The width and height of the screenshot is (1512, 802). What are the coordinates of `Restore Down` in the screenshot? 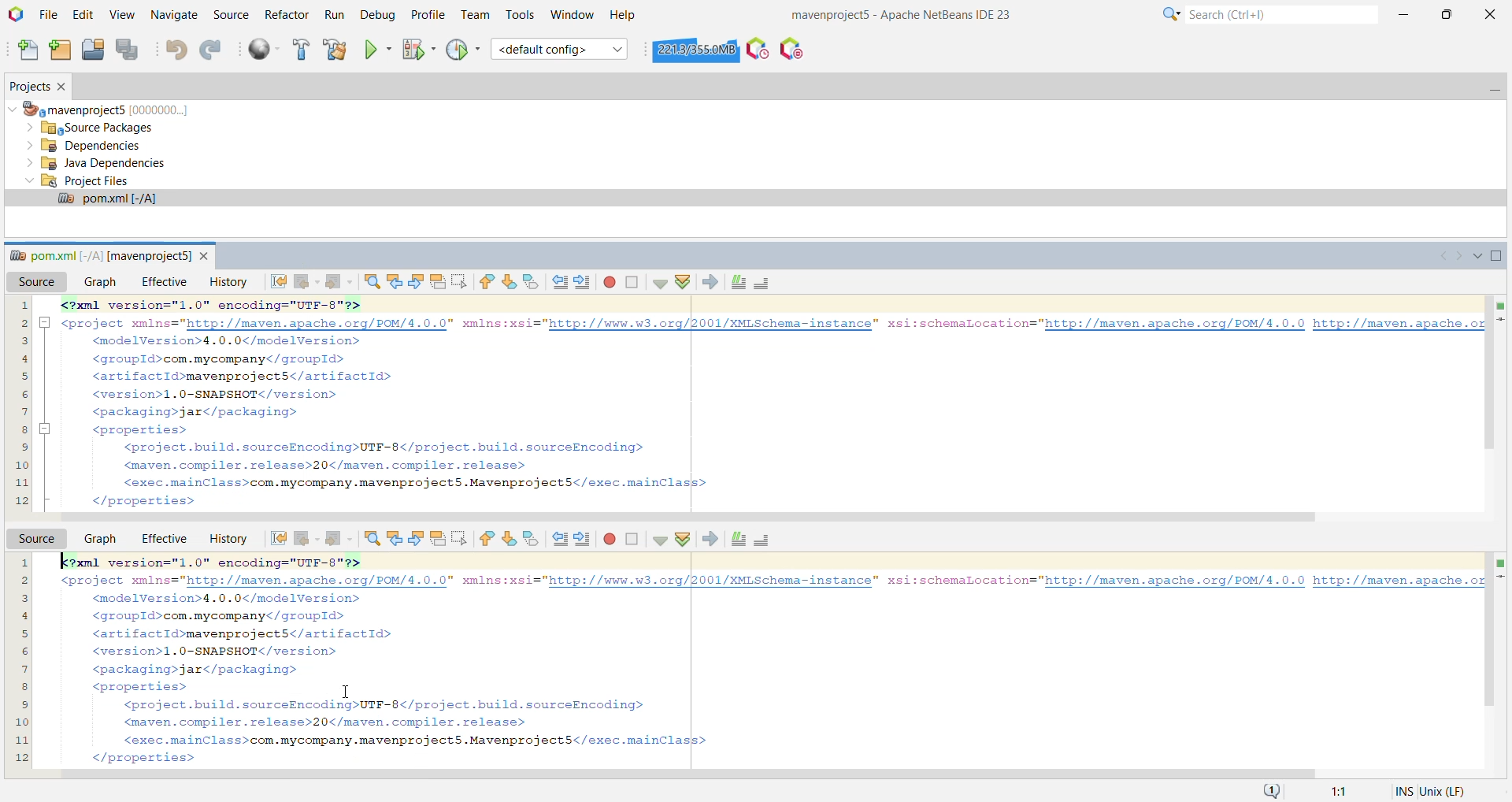 It's located at (1446, 13).